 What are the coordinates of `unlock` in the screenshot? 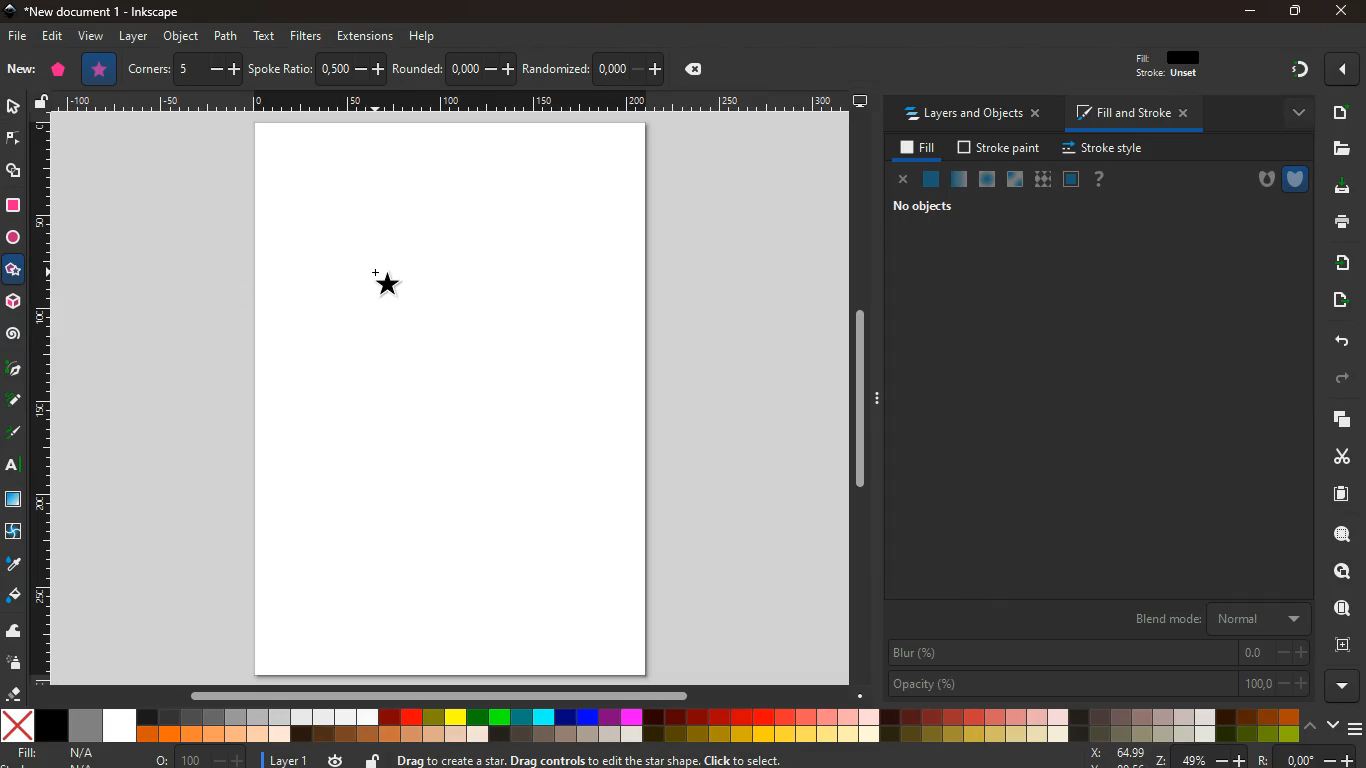 It's located at (44, 103).